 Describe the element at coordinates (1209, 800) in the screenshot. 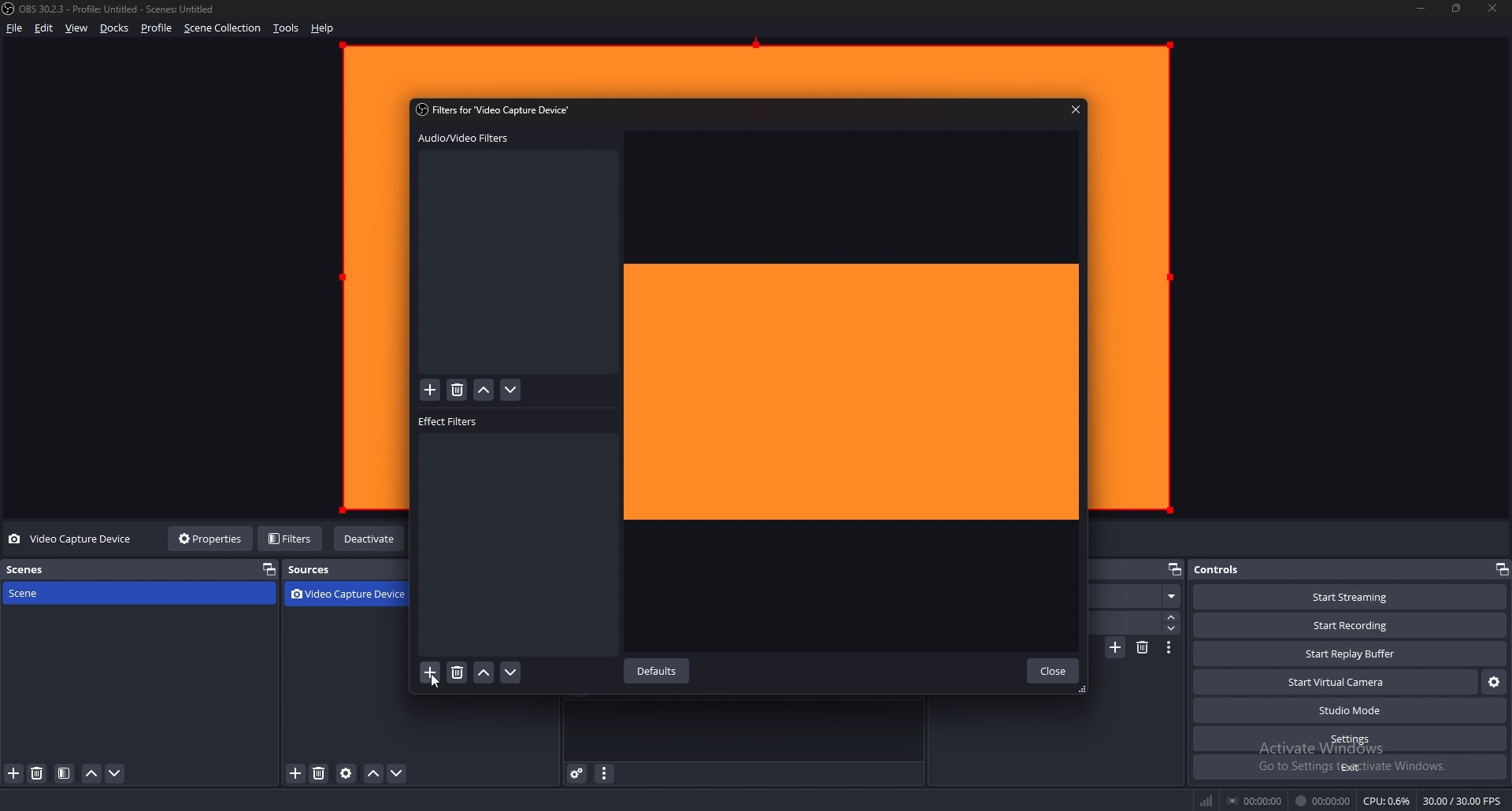

I see `network` at that location.